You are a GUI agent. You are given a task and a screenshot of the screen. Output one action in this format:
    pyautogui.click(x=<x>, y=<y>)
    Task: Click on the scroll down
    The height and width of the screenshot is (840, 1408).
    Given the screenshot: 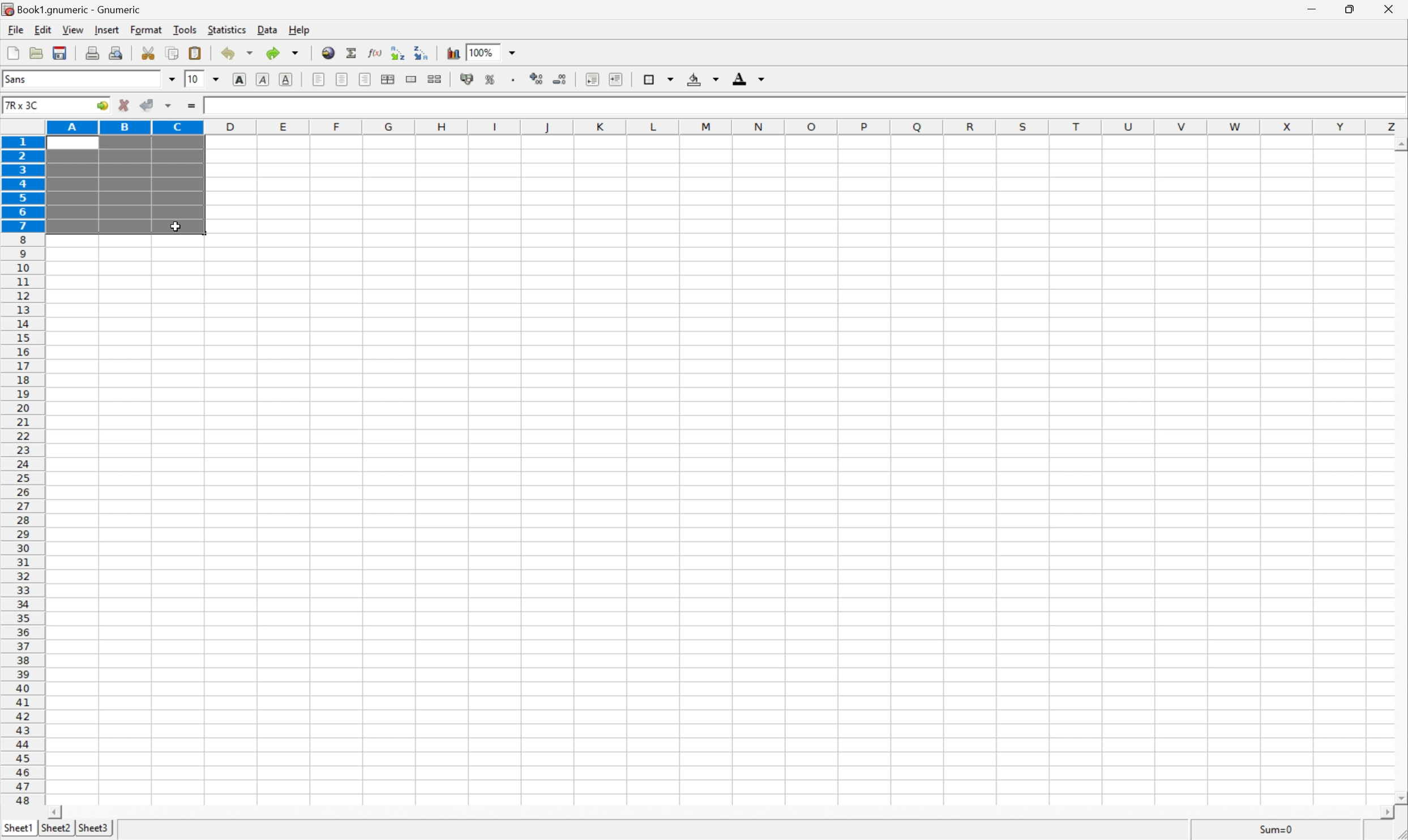 What is the action you would take?
    pyautogui.click(x=1399, y=799)
    